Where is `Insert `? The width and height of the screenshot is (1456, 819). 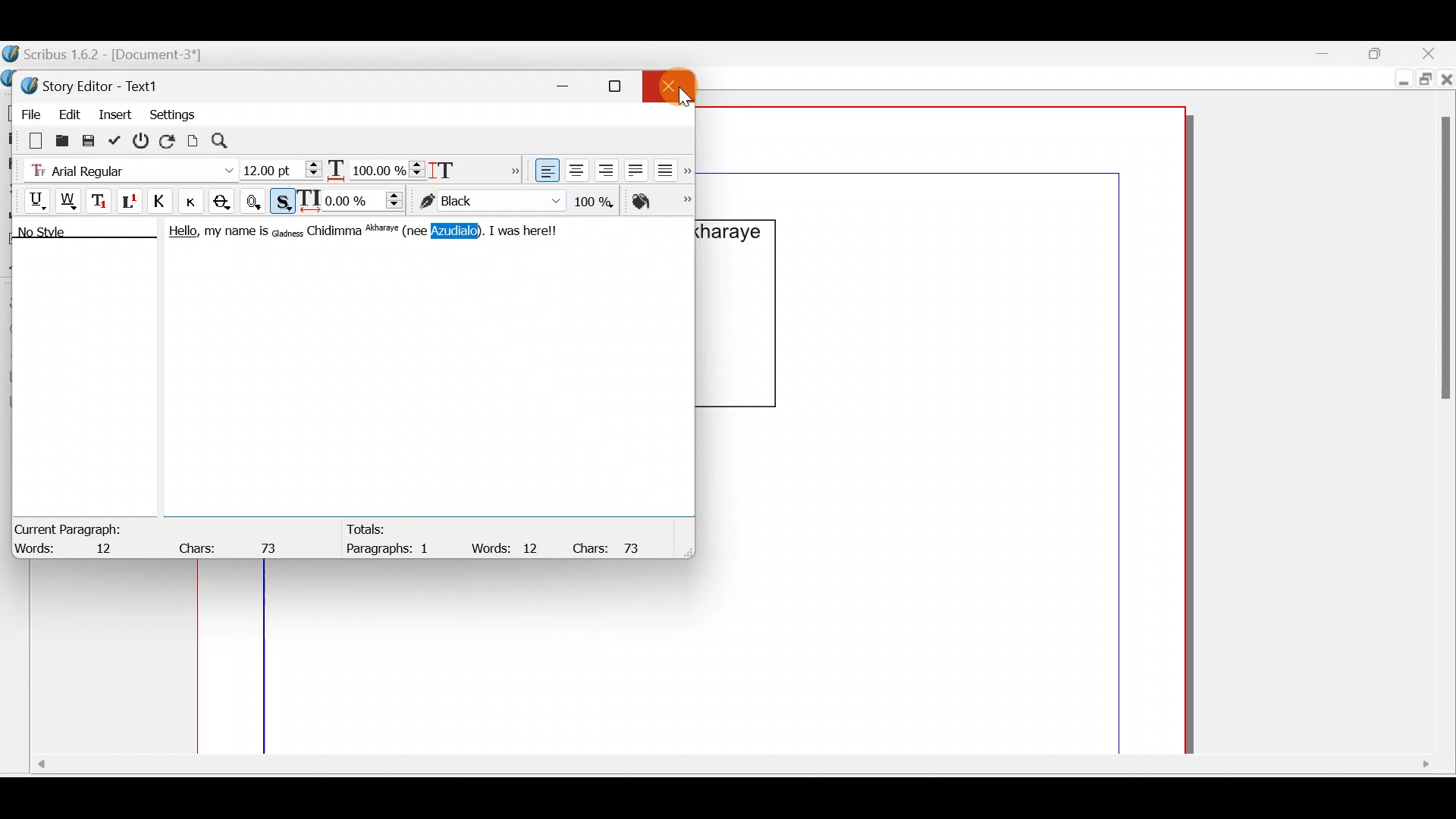
Insert  is located at coordinates (116, 113).